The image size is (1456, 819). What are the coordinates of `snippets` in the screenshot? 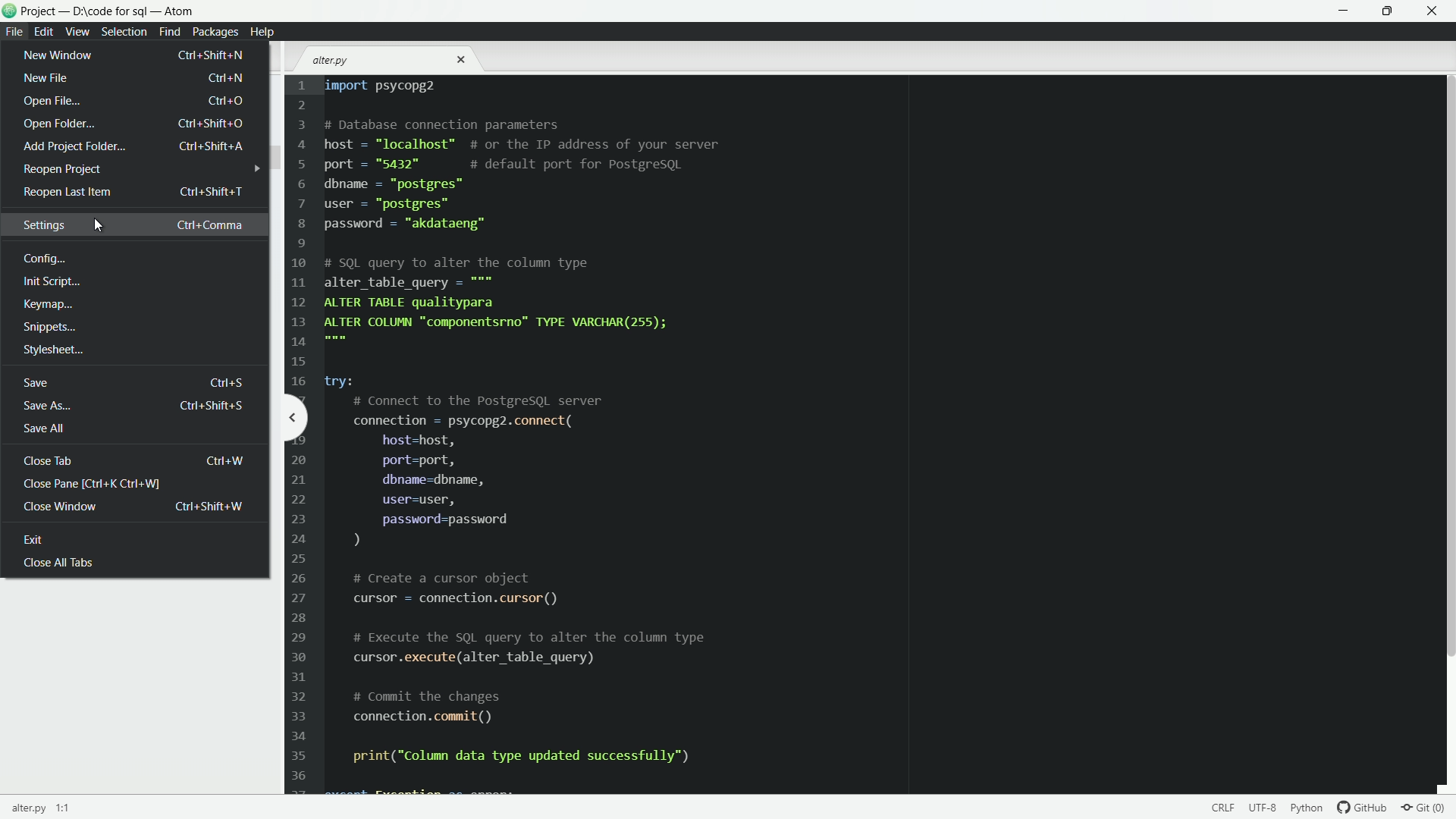 It's located at (49, 328).